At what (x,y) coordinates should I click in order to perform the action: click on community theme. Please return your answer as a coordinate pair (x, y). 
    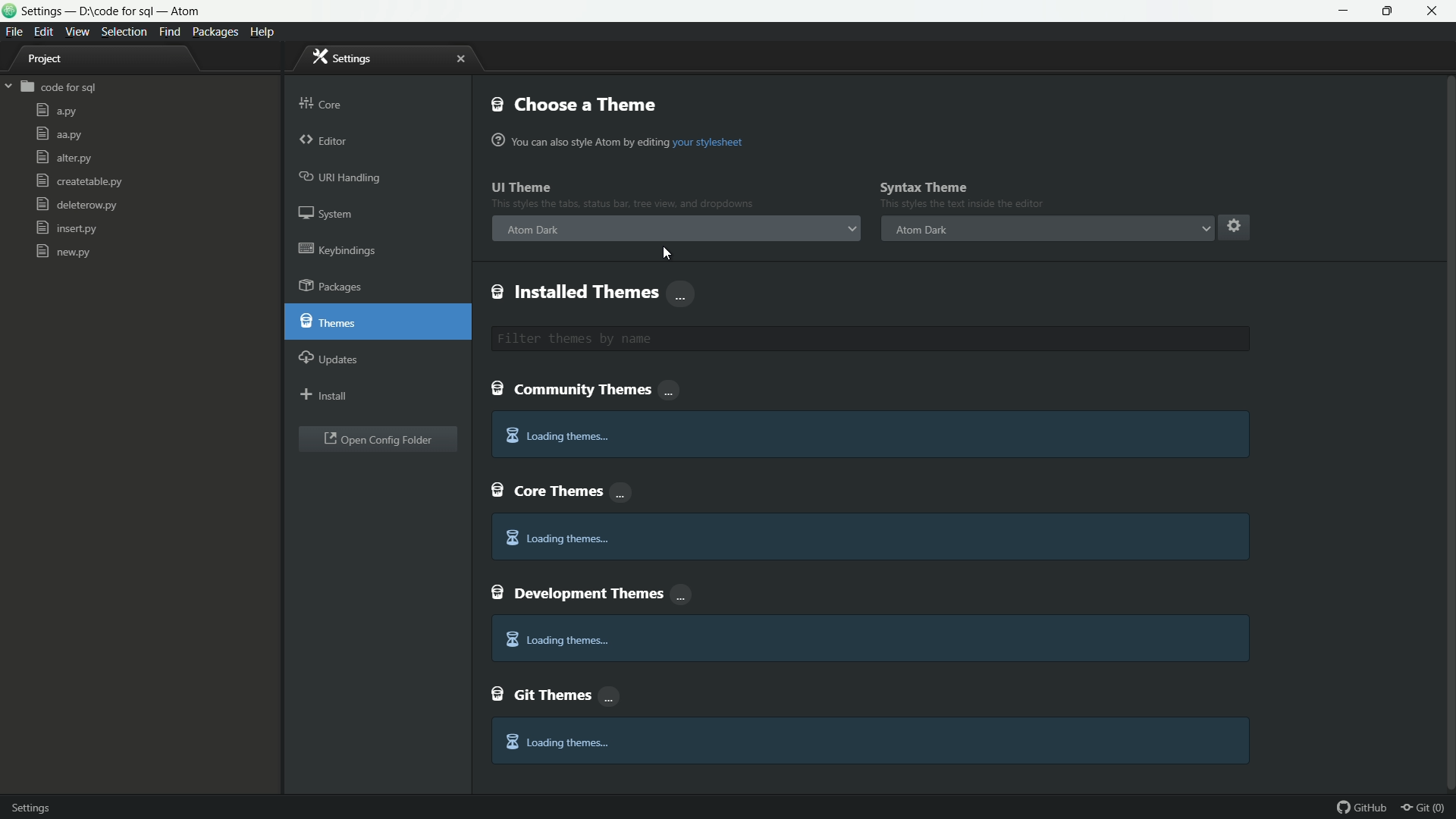
    Looking at the image, I should click on (588, 391).